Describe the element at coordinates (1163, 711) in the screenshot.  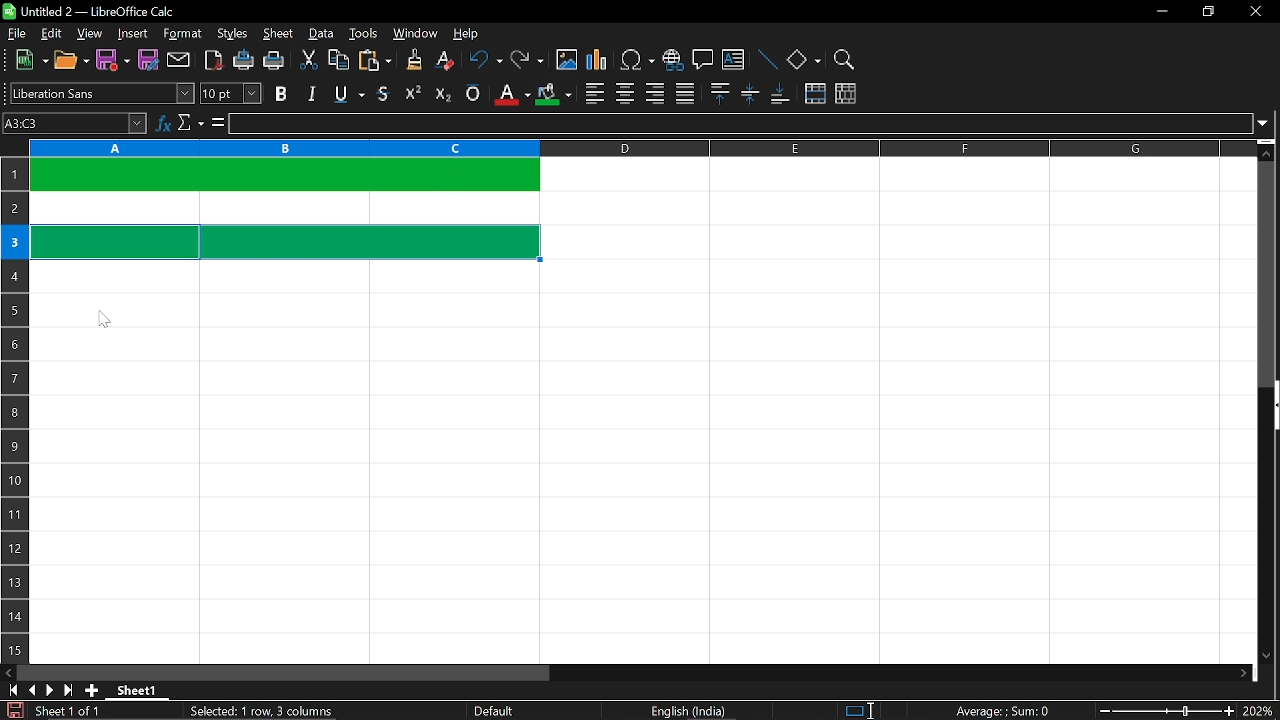
I see `change zoom` at that location.